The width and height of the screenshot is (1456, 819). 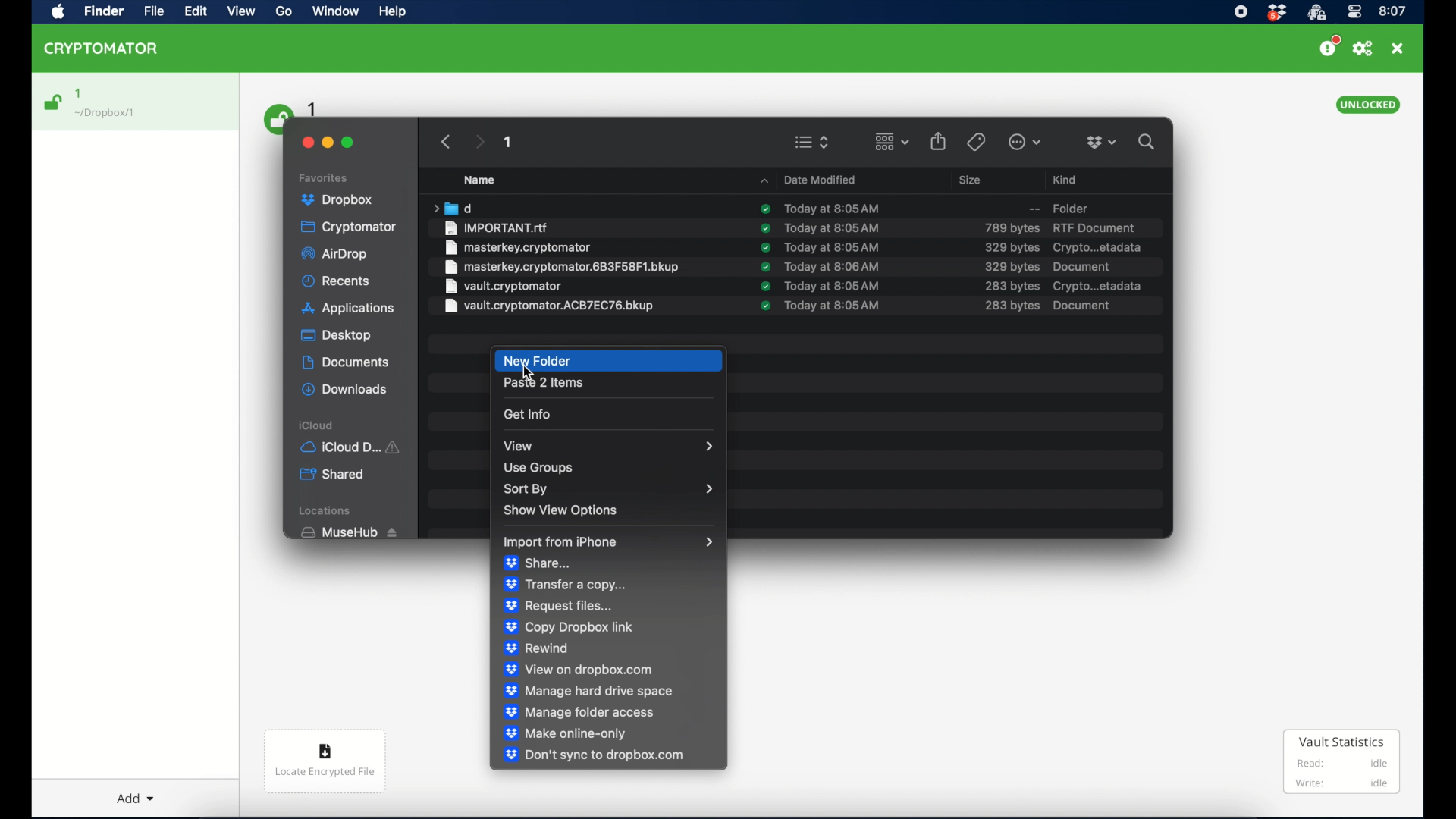 I want to click on tags, so click(x=975, y=141).